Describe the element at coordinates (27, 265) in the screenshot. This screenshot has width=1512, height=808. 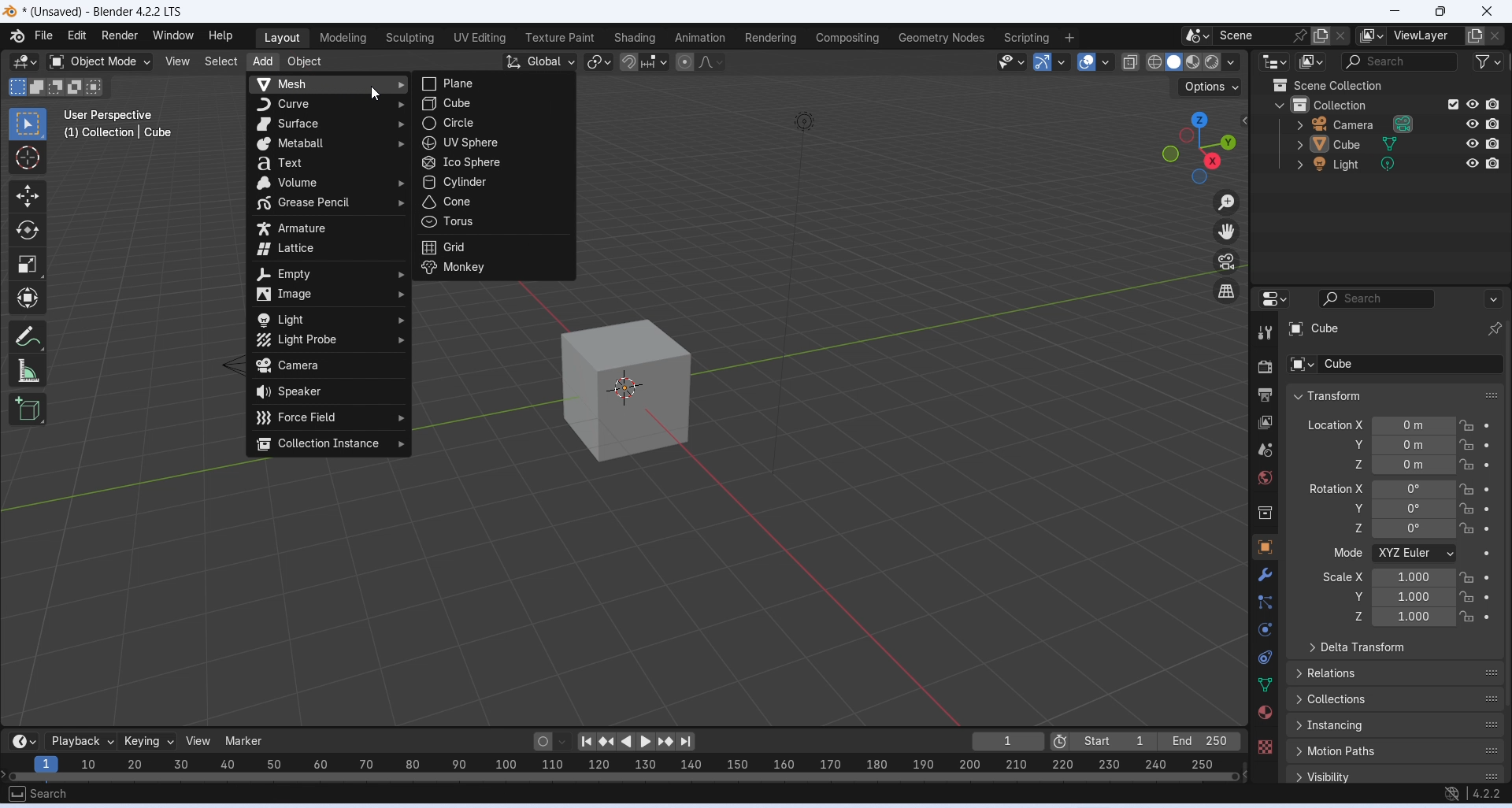
I see `Scale` at that location.